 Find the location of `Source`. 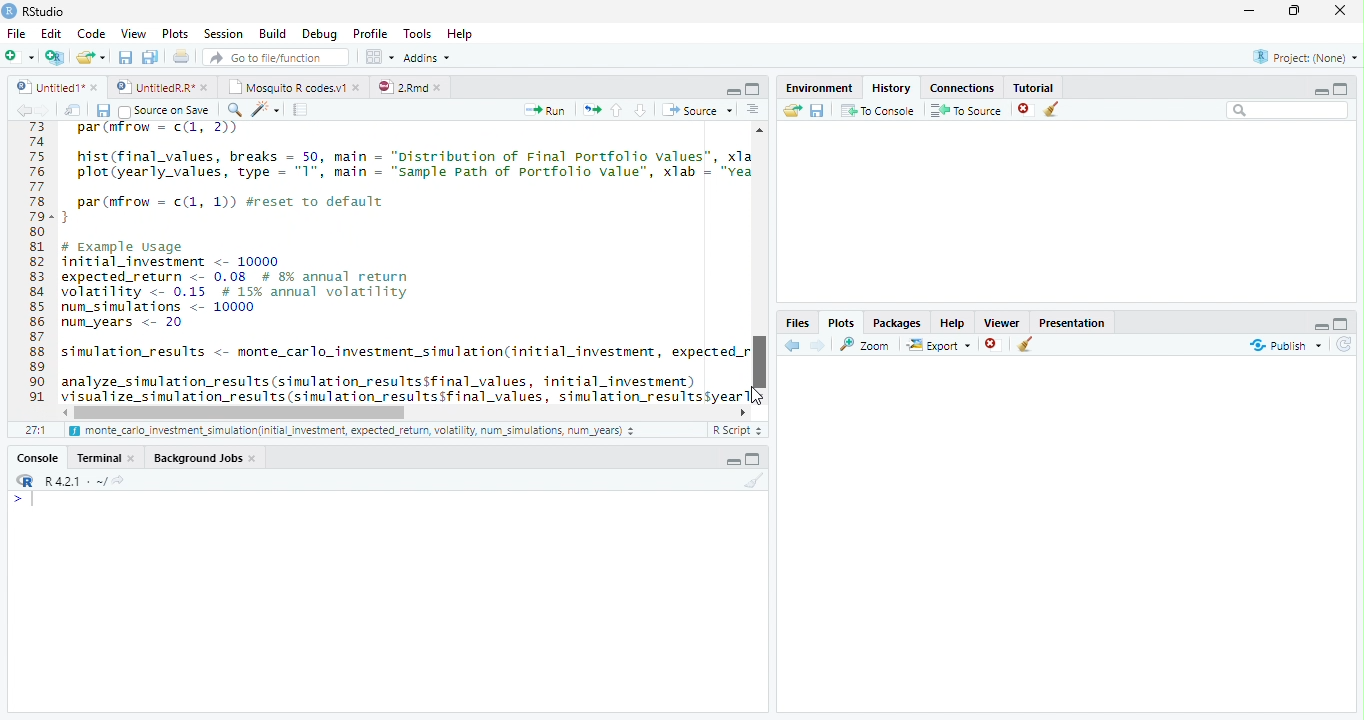

Source is located at coordinates (696, 109).